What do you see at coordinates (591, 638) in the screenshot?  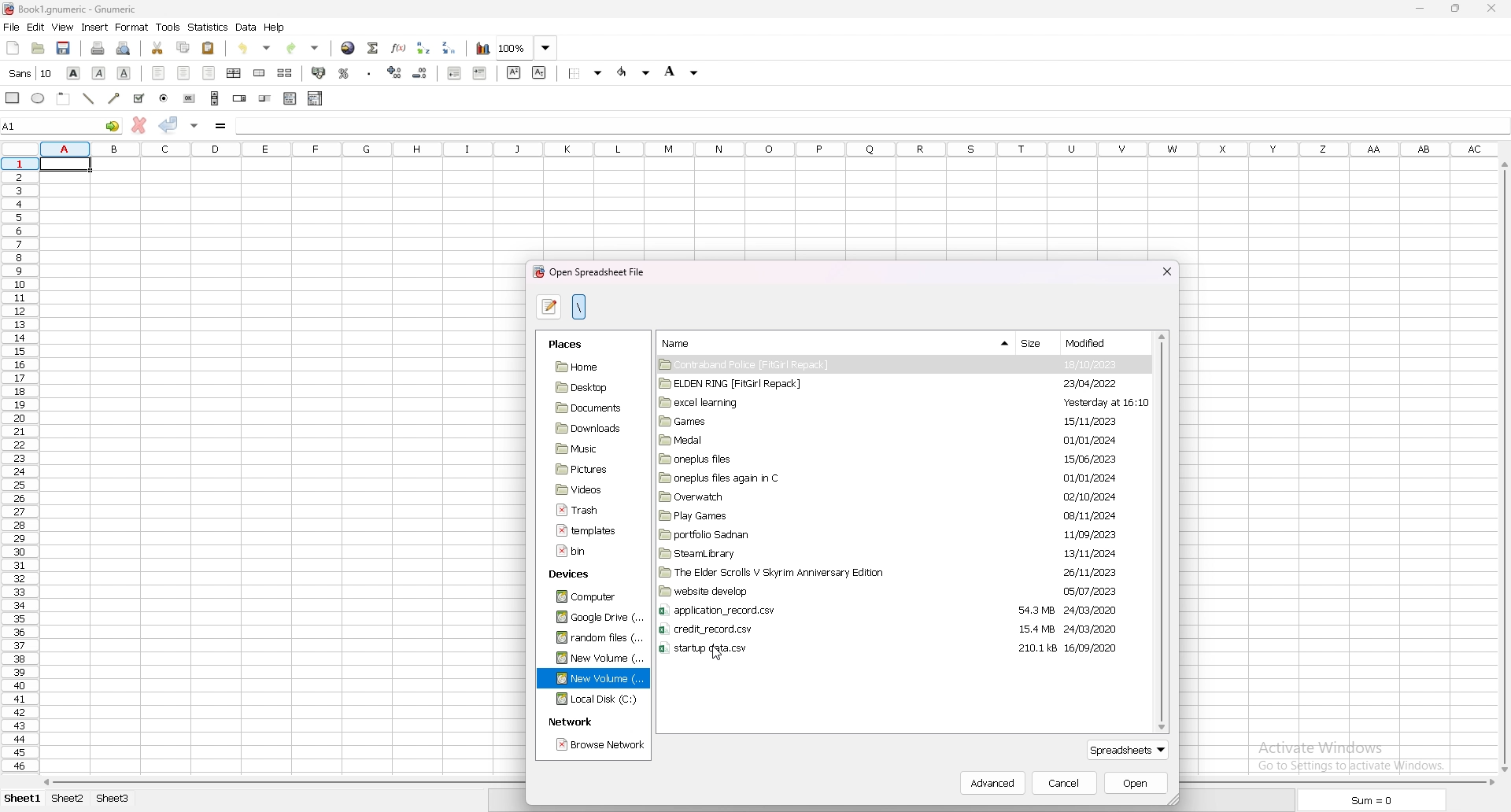 I see `folder` at bounding box center [591, 638].